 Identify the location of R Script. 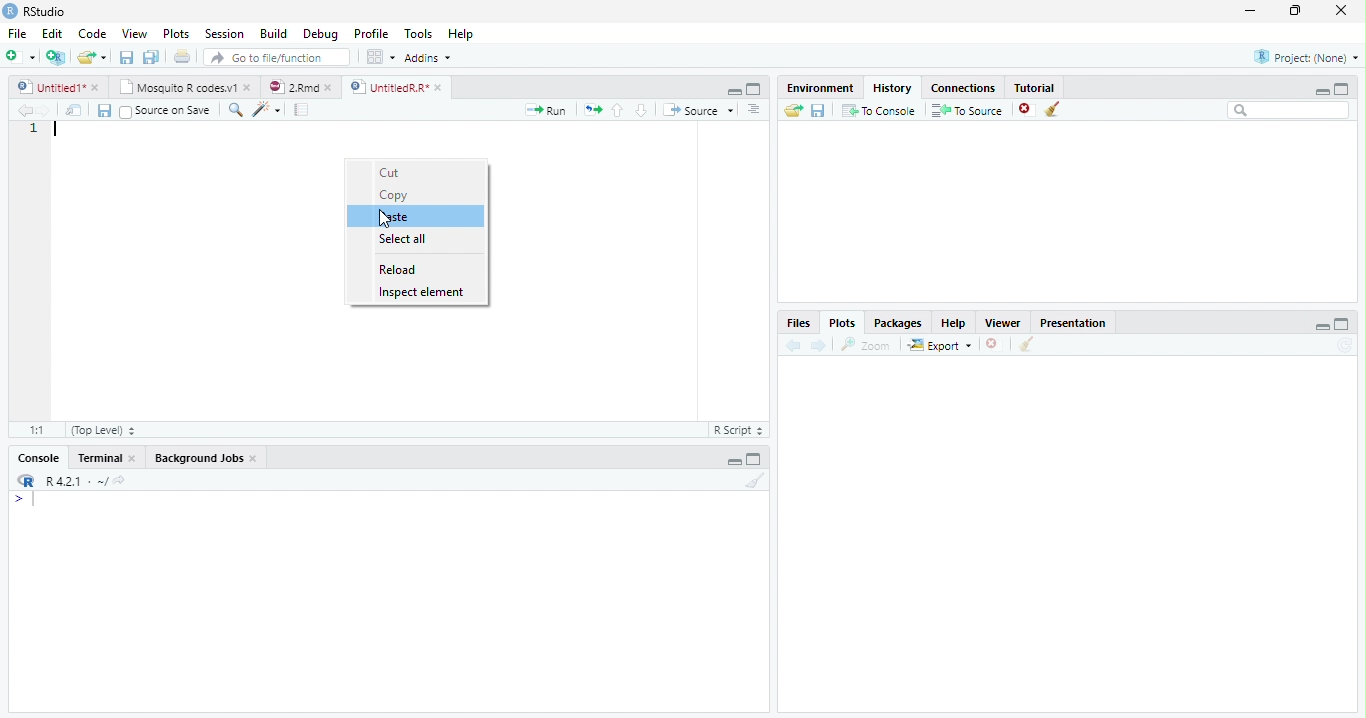
(737, 431).